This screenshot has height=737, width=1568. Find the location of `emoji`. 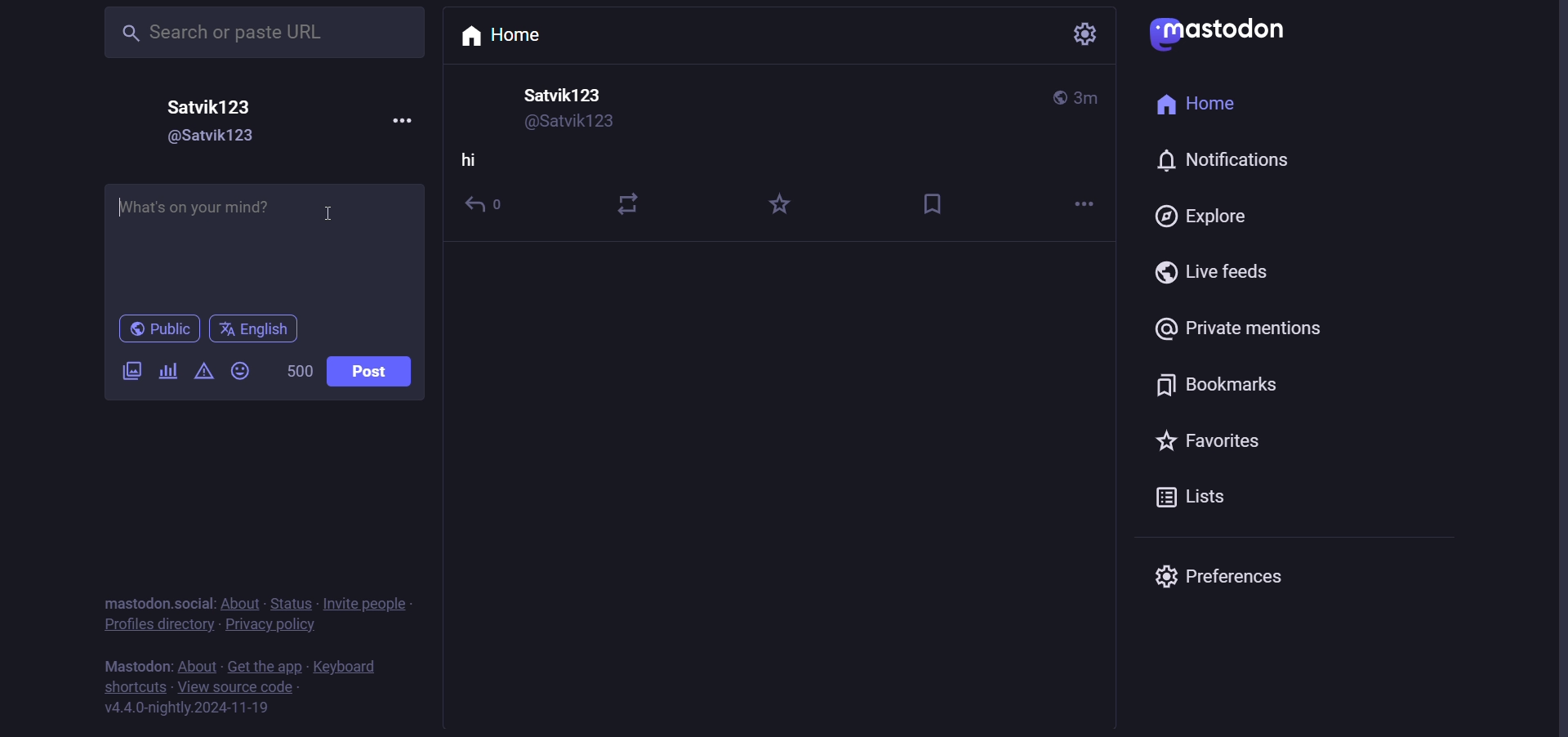

emoji is located at coordinates (241, 369).